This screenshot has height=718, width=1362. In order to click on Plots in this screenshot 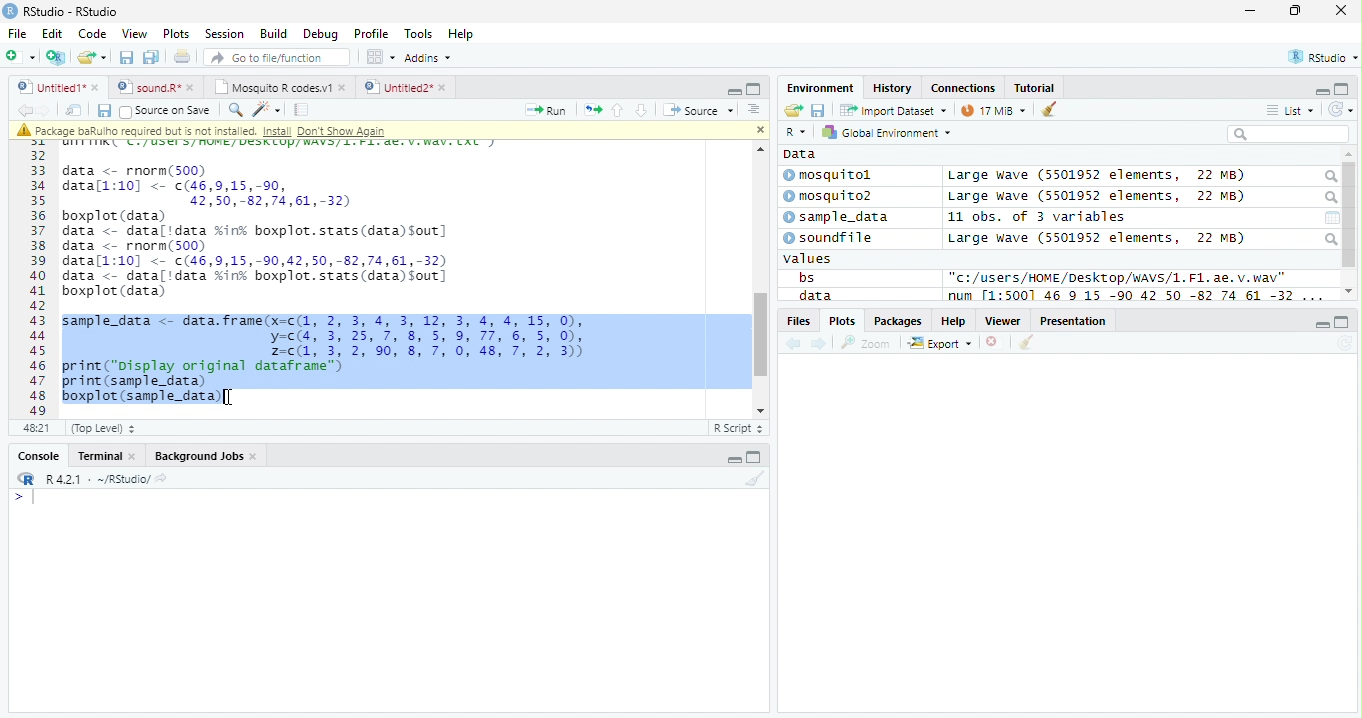, I will do `click(177, 34)`.